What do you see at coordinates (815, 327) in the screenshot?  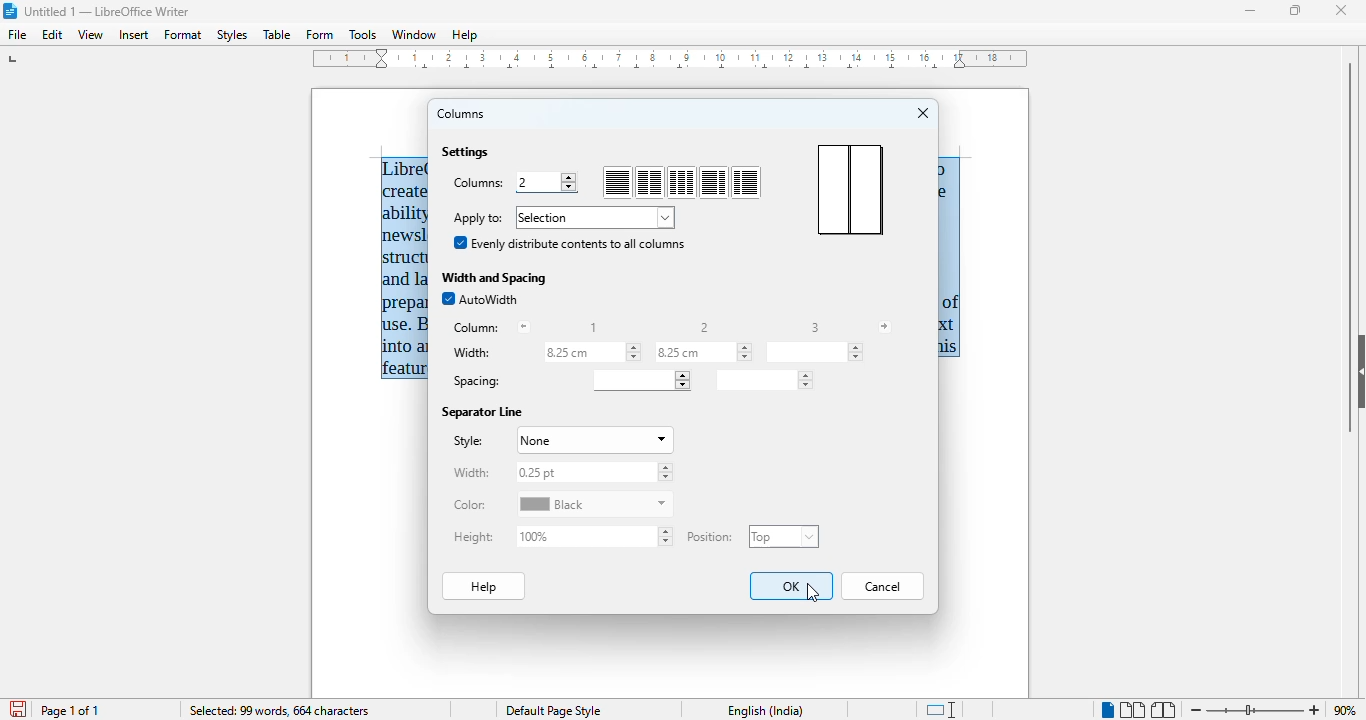 I see `3` at bounding box center [815, 327].